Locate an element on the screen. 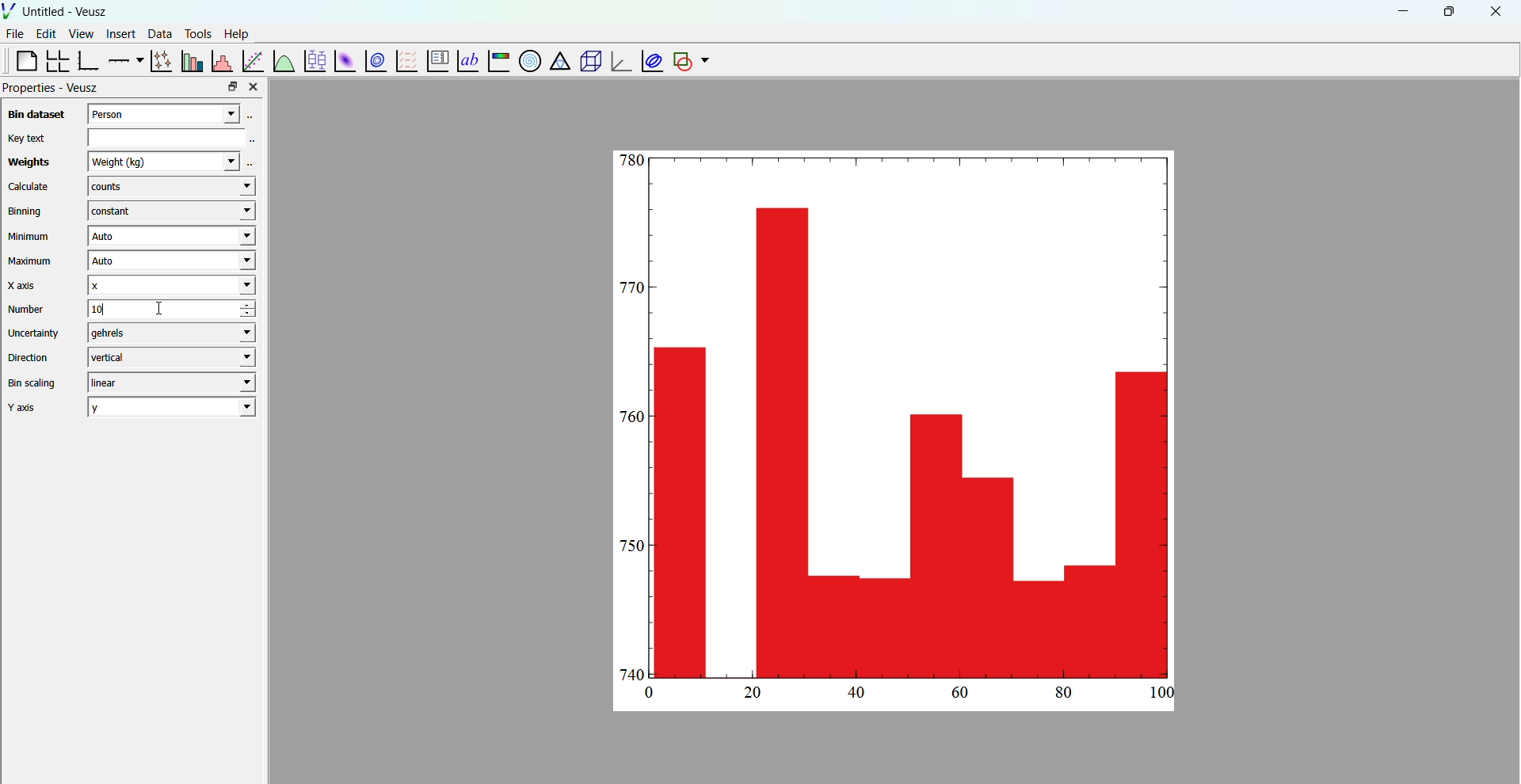  plot functions is located at coordinates (283, 60).